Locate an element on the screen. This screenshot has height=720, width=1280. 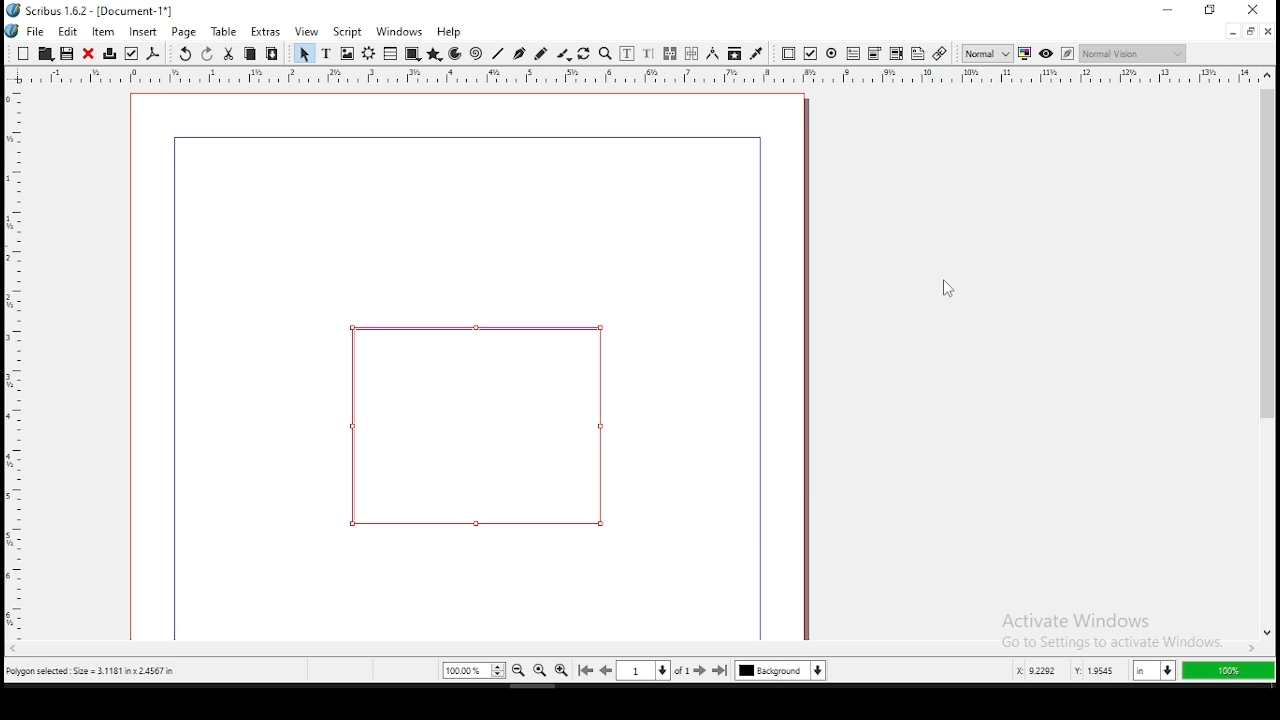
toggle image preview quality is located at coordinates (986, 53).